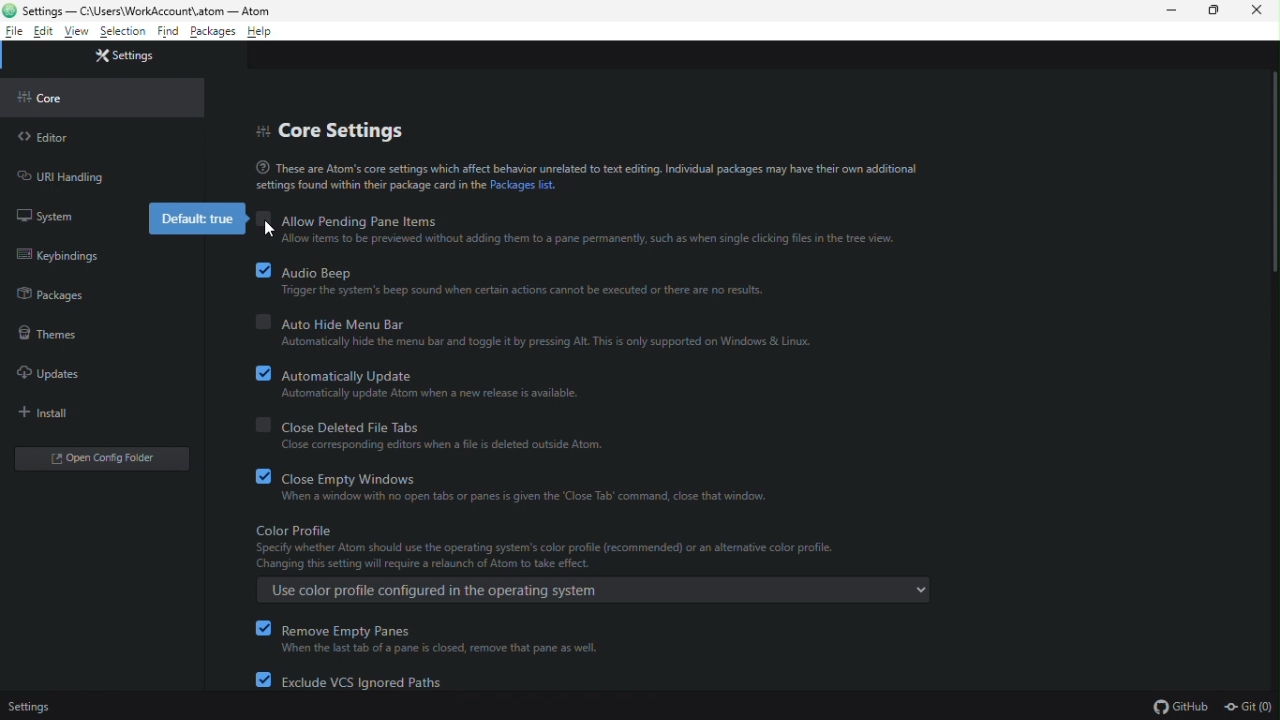 Image resolution: width=1280 pixels, height=720 pixels. Describe the element at coordinates (596, 589) in the screenshot. I see `Use color profile configured in the operating system.` at that location.